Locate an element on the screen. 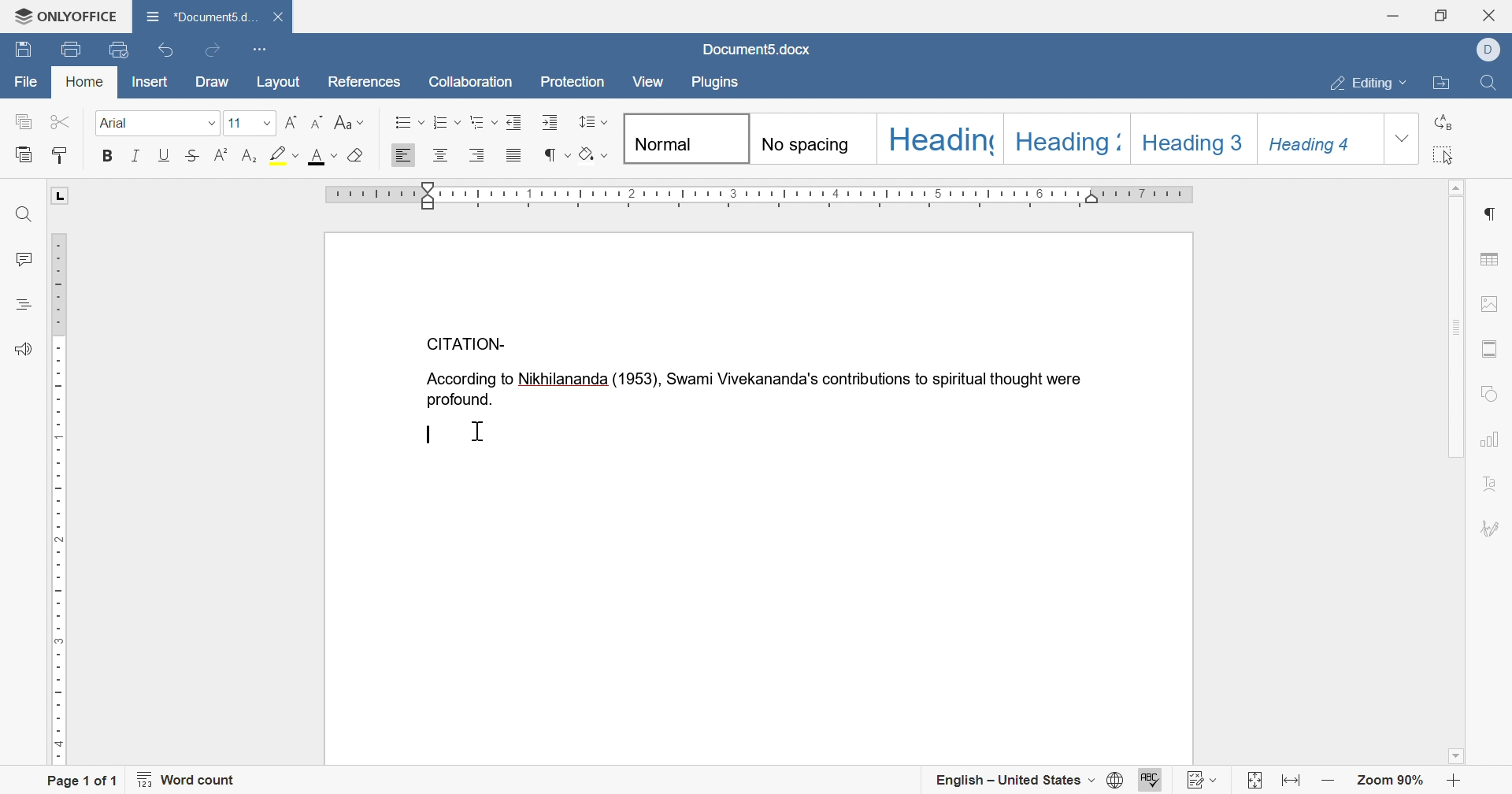  plugins is located at coordinates (715, 83).